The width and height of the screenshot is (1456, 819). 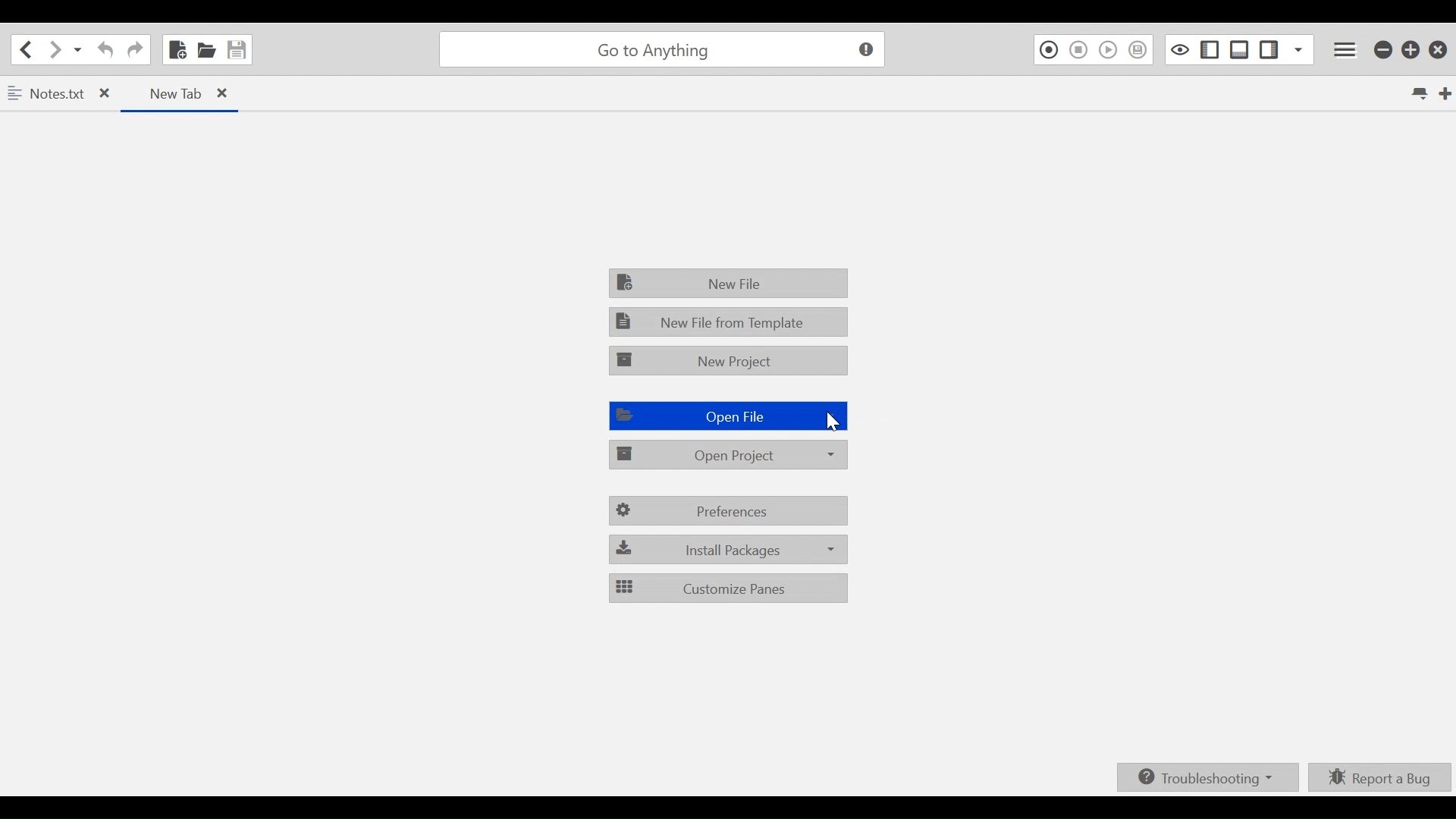 What do you see at coordinates (135, 49) in the screenshot?
I see `Redo` at bounding box center [135, 49].